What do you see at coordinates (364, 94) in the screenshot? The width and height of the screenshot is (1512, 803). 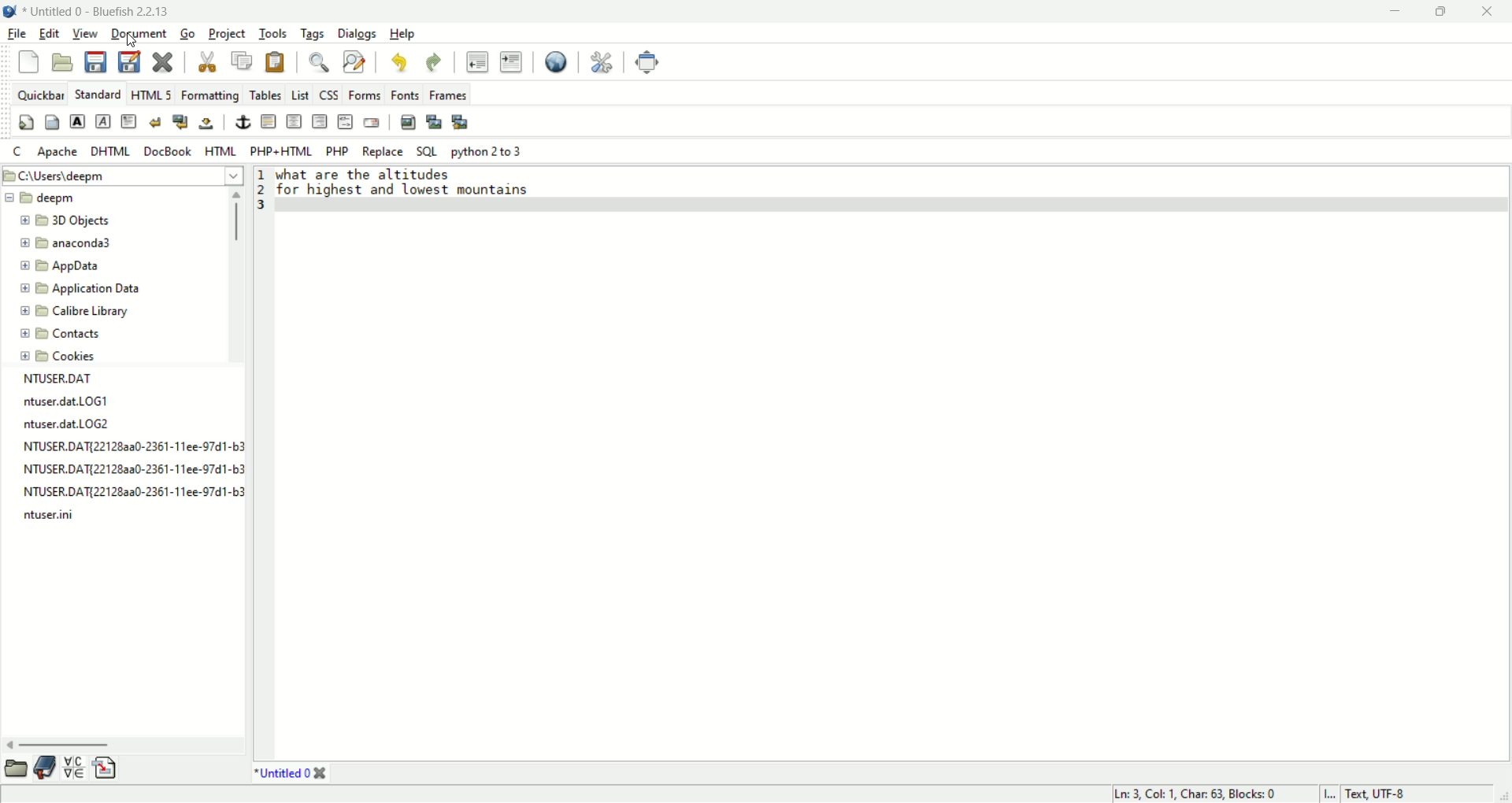 I see `forms` at bounding box center [364, 94].